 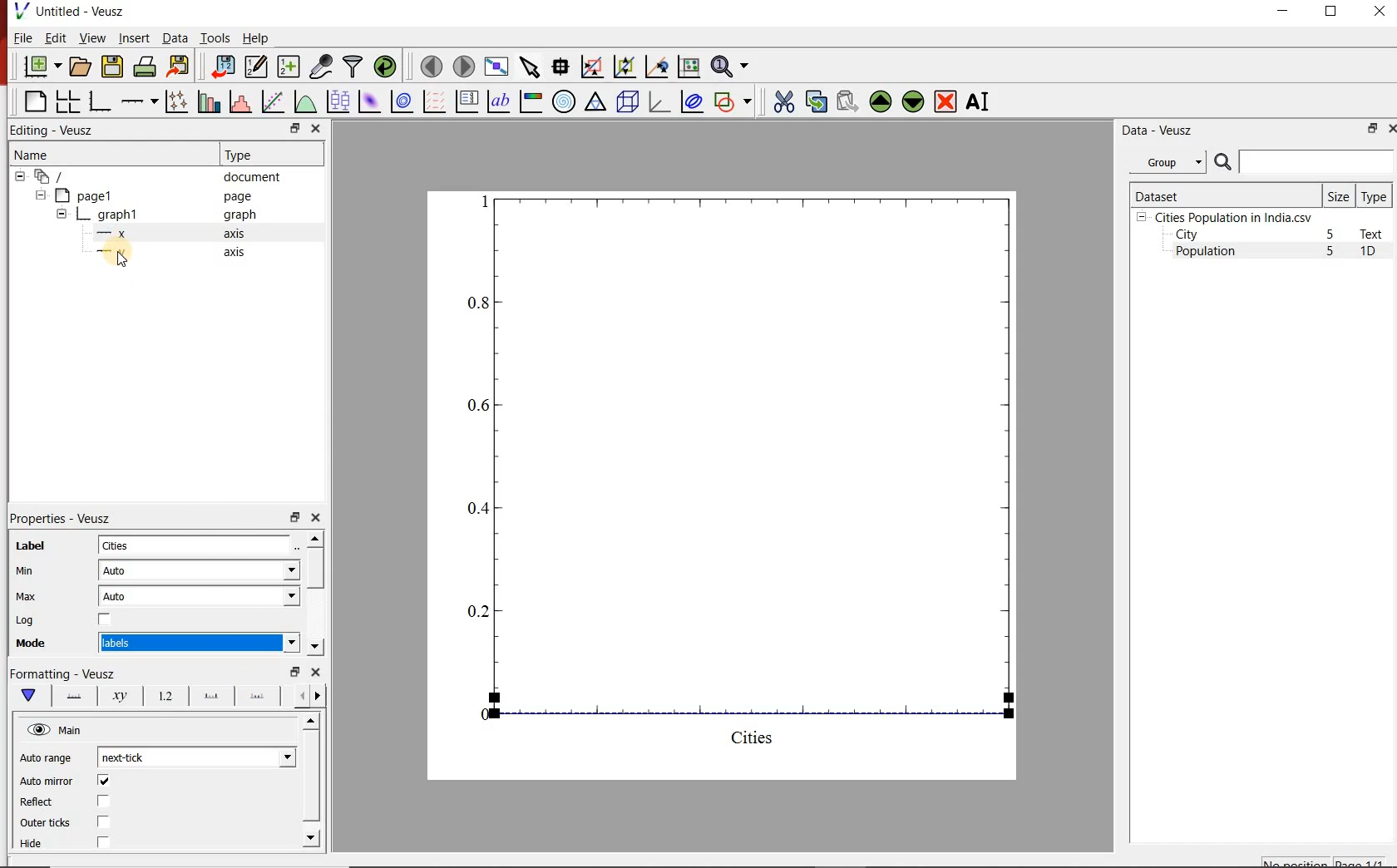 What do you see at coordinates (368, 100) in the screenshot?
I see `plot a 2d dataset as an image` at bounding box center [368, 100].